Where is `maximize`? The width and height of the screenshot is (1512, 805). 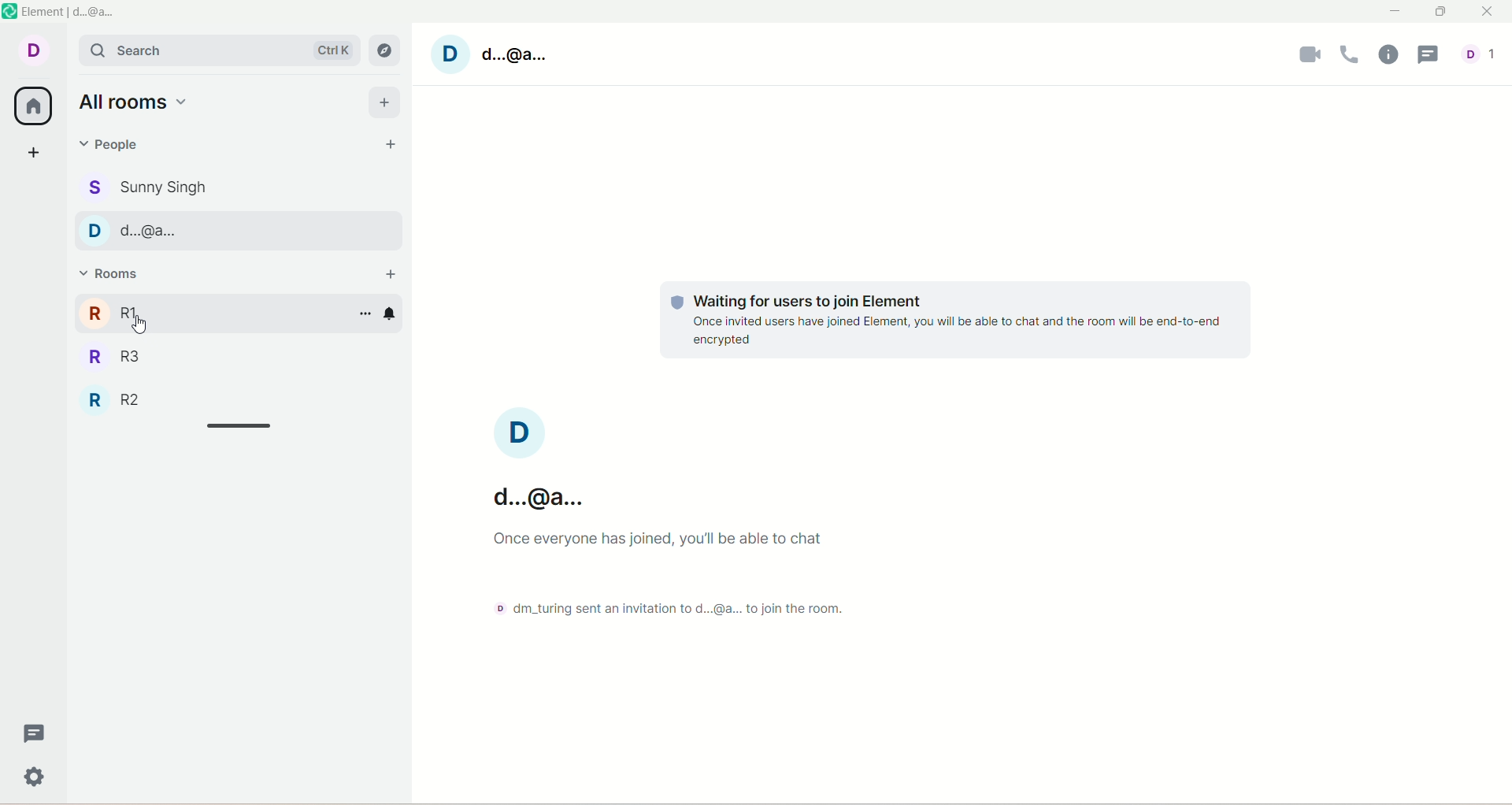
maximize is located at coordinates (1440, 14).